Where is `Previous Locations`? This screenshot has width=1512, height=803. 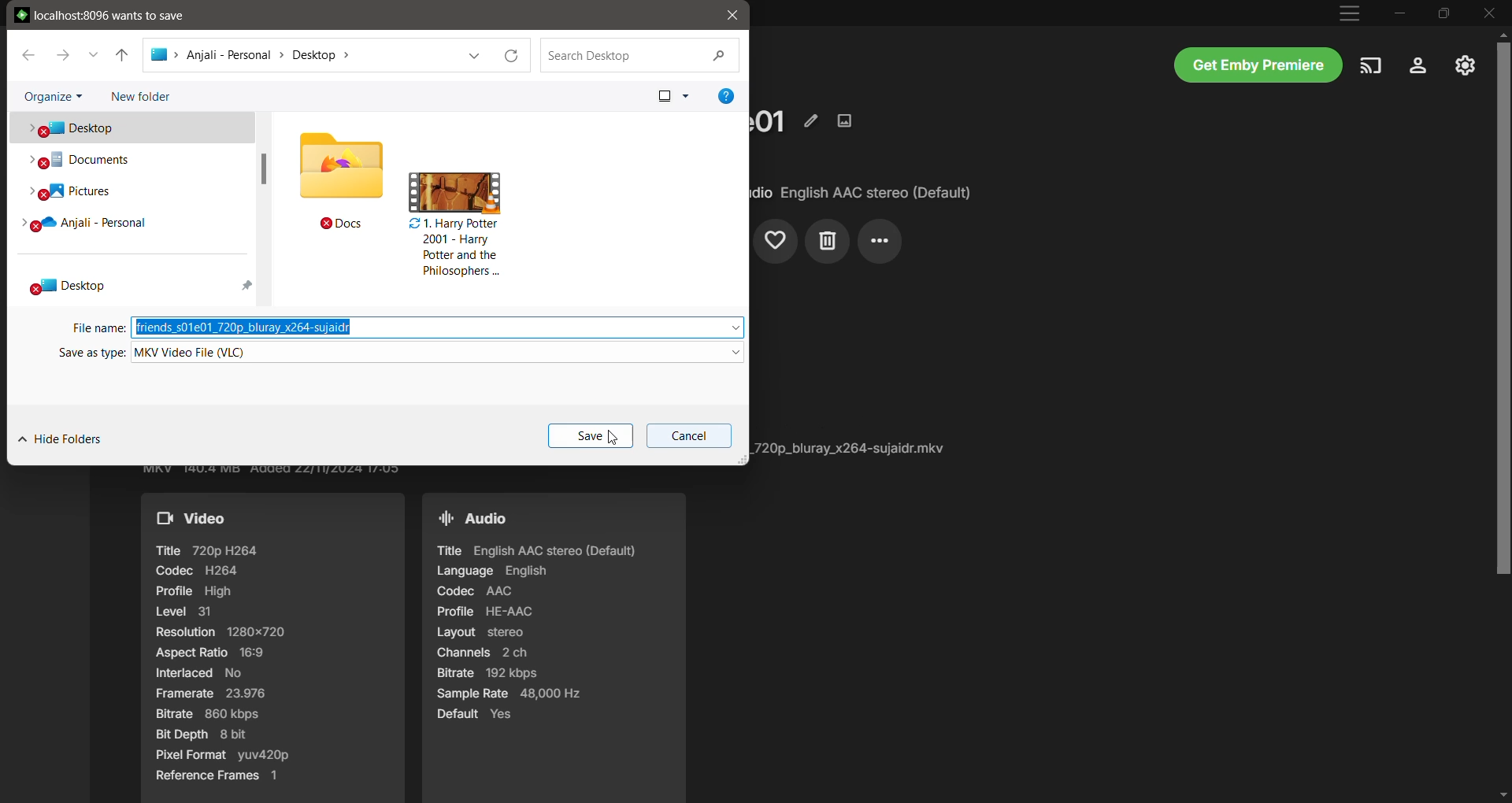
Previous Locations is located at coordinates (469, 56).